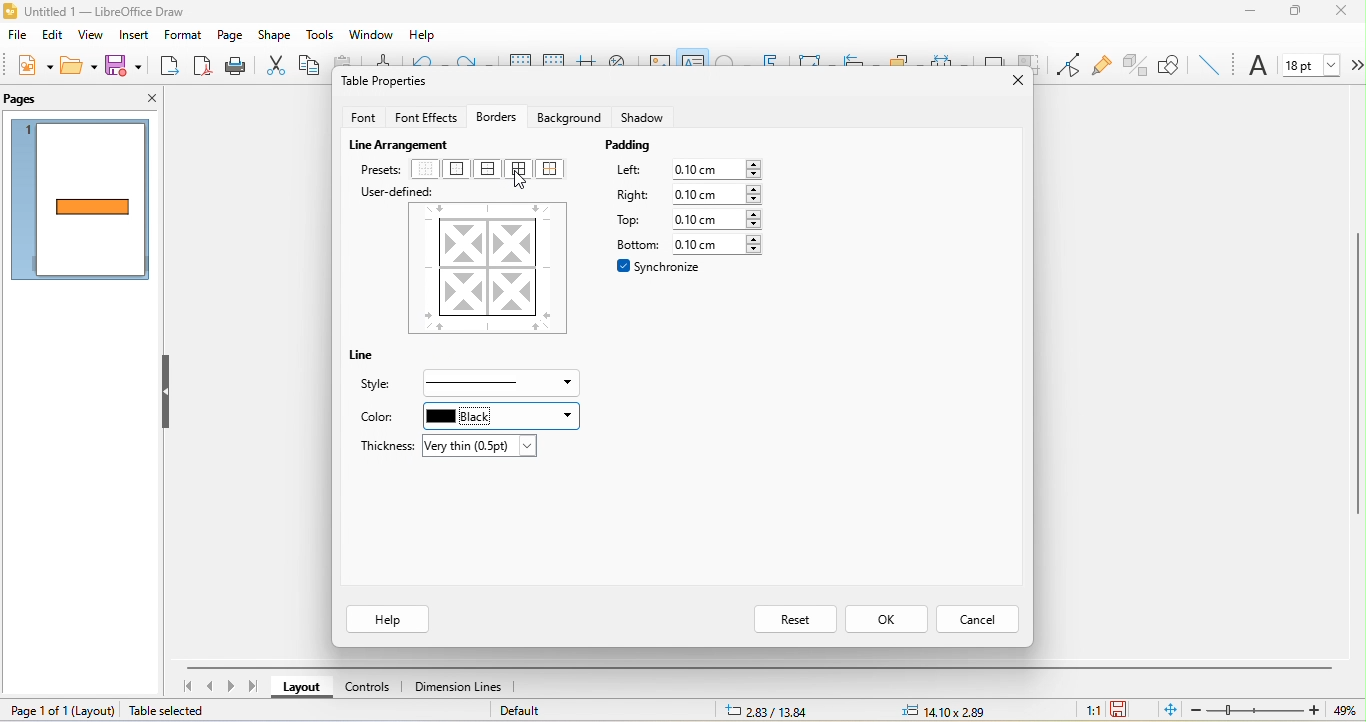 The image size is (1366, 722). I want to click on reset, so click(794, 621).